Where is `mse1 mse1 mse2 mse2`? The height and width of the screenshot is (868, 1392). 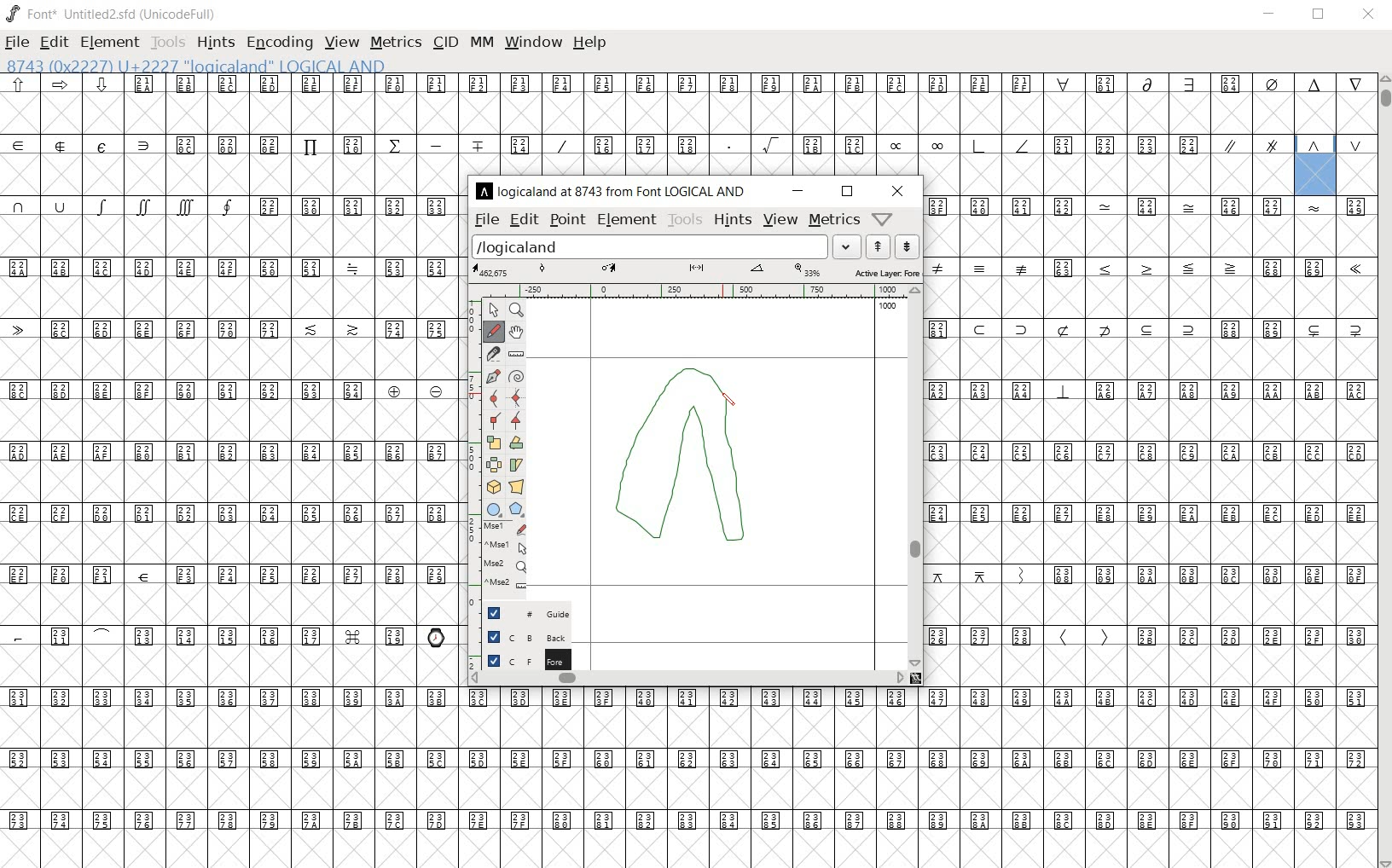
mse1 mse1 mse2 mse2 is located at coordinates (504, 557).